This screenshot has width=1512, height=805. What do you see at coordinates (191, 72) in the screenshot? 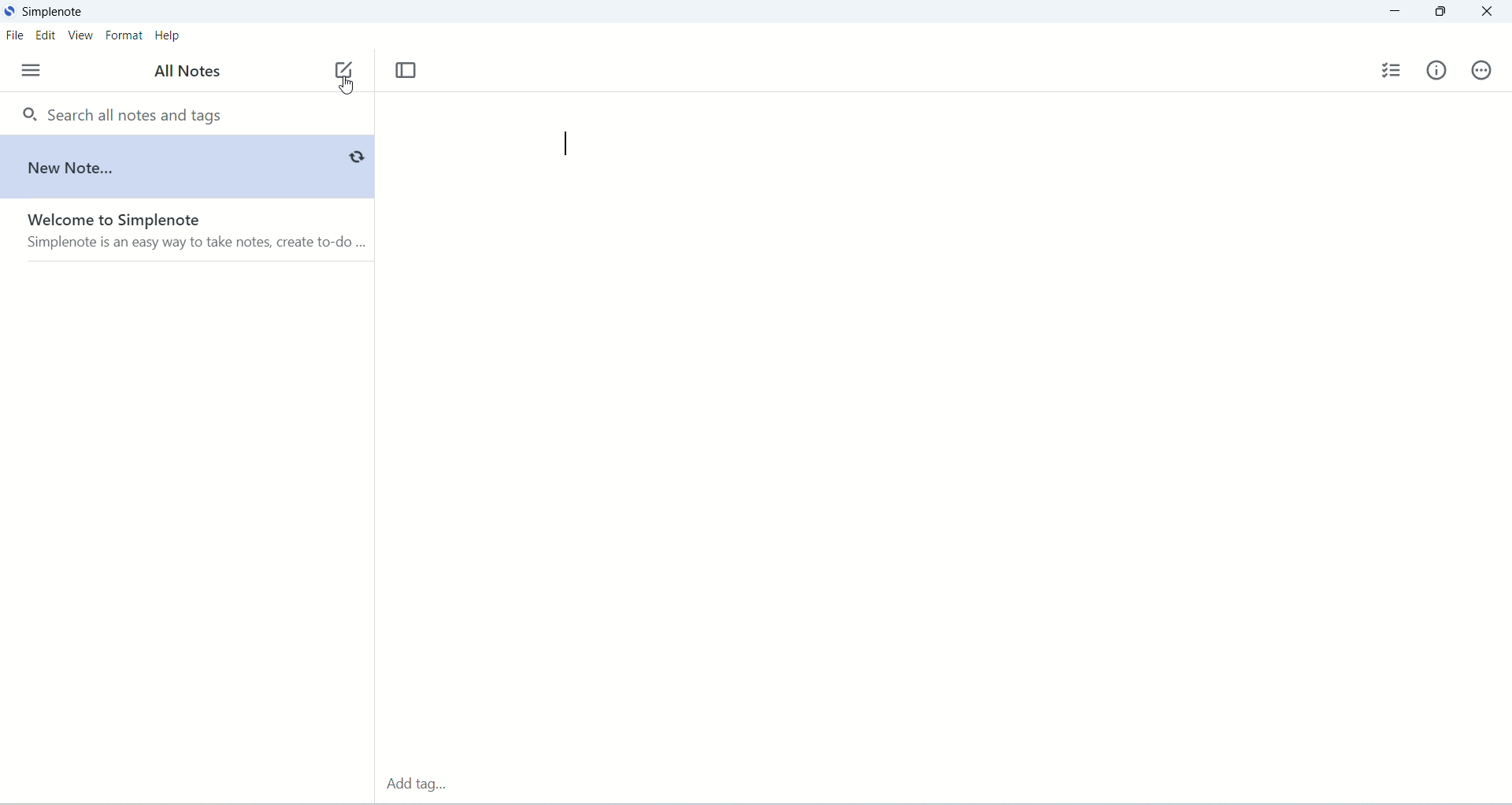
I see `all notes` at bounding box center [191, 72].